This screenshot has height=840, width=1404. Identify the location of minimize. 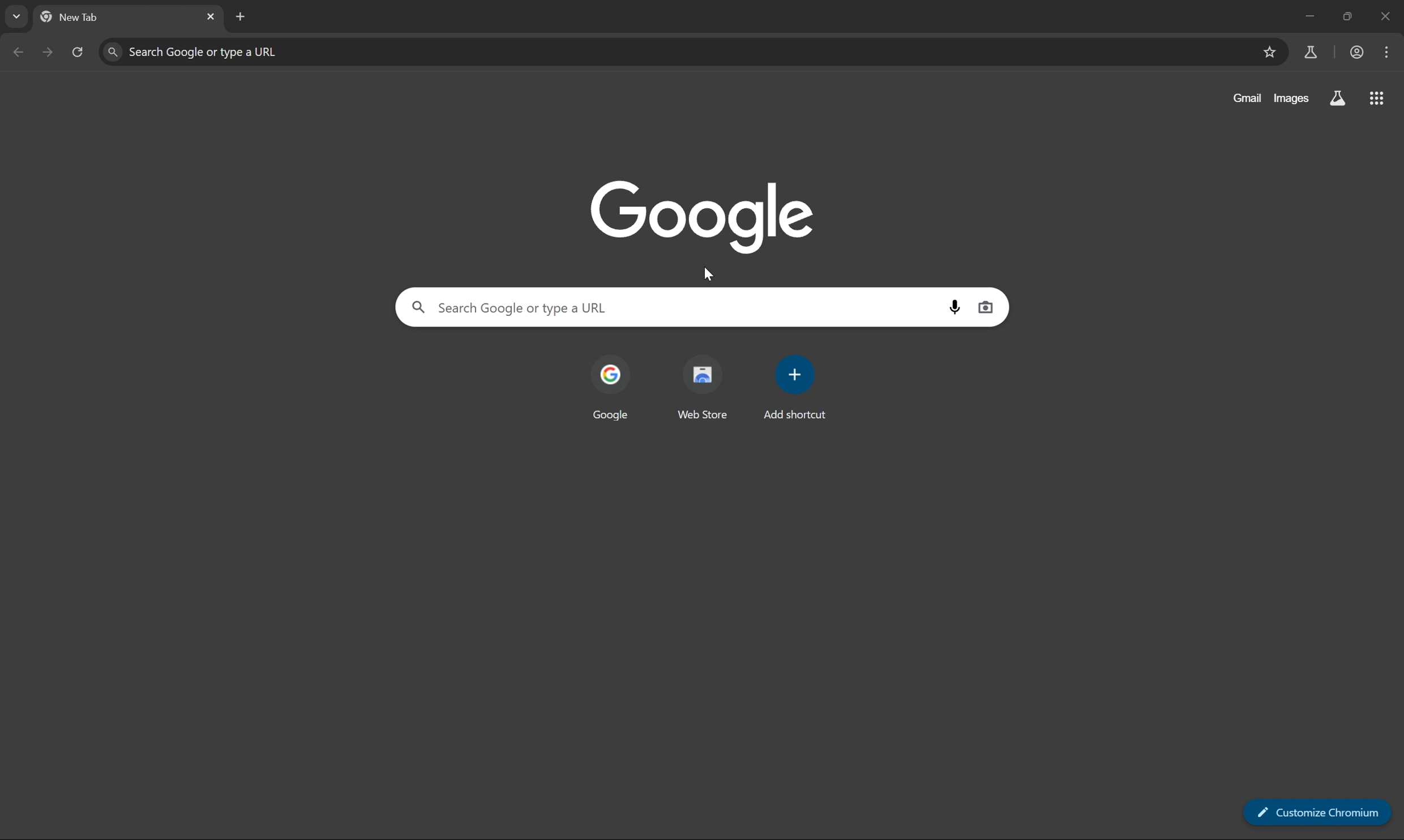
(1308, 16).